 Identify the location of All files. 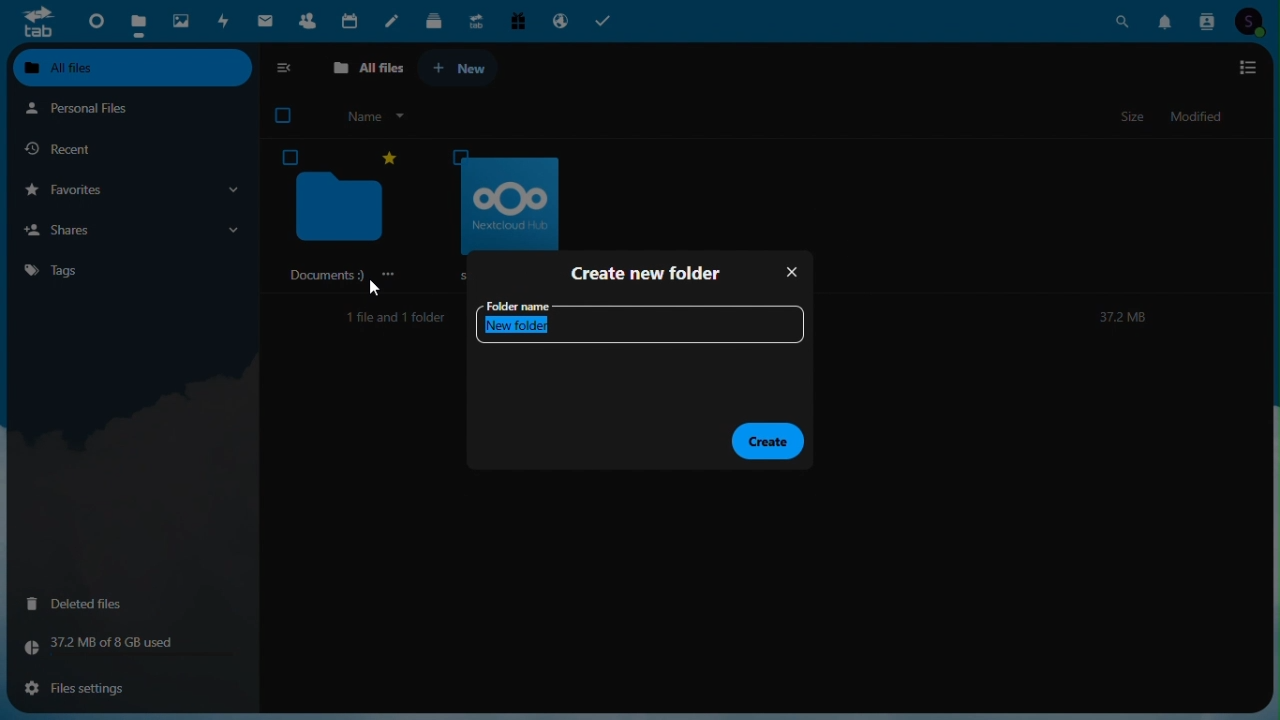
(364, 66).